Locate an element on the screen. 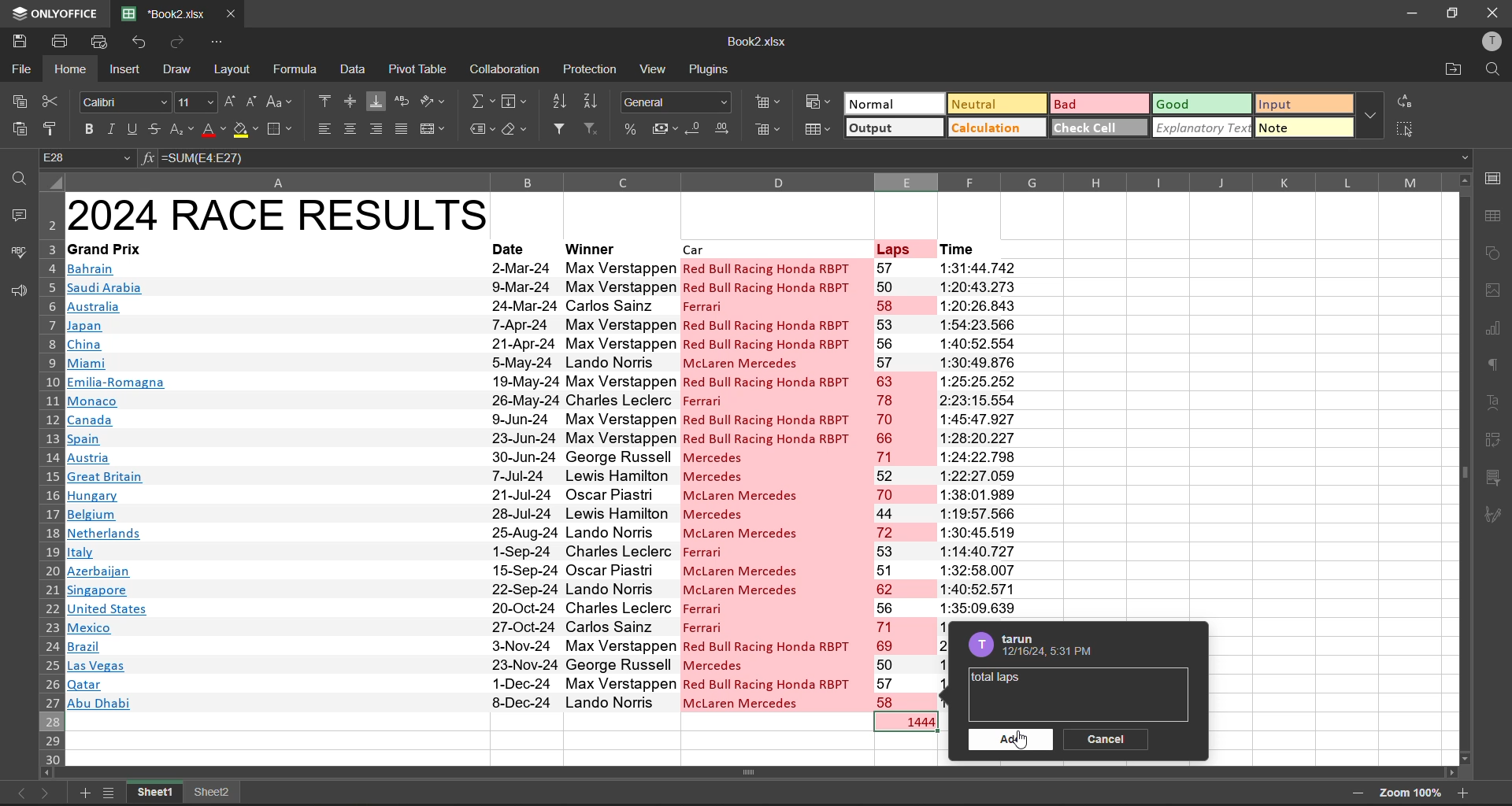 The image size is (1512, 806). sheet names is located at coordinates (156, 794).